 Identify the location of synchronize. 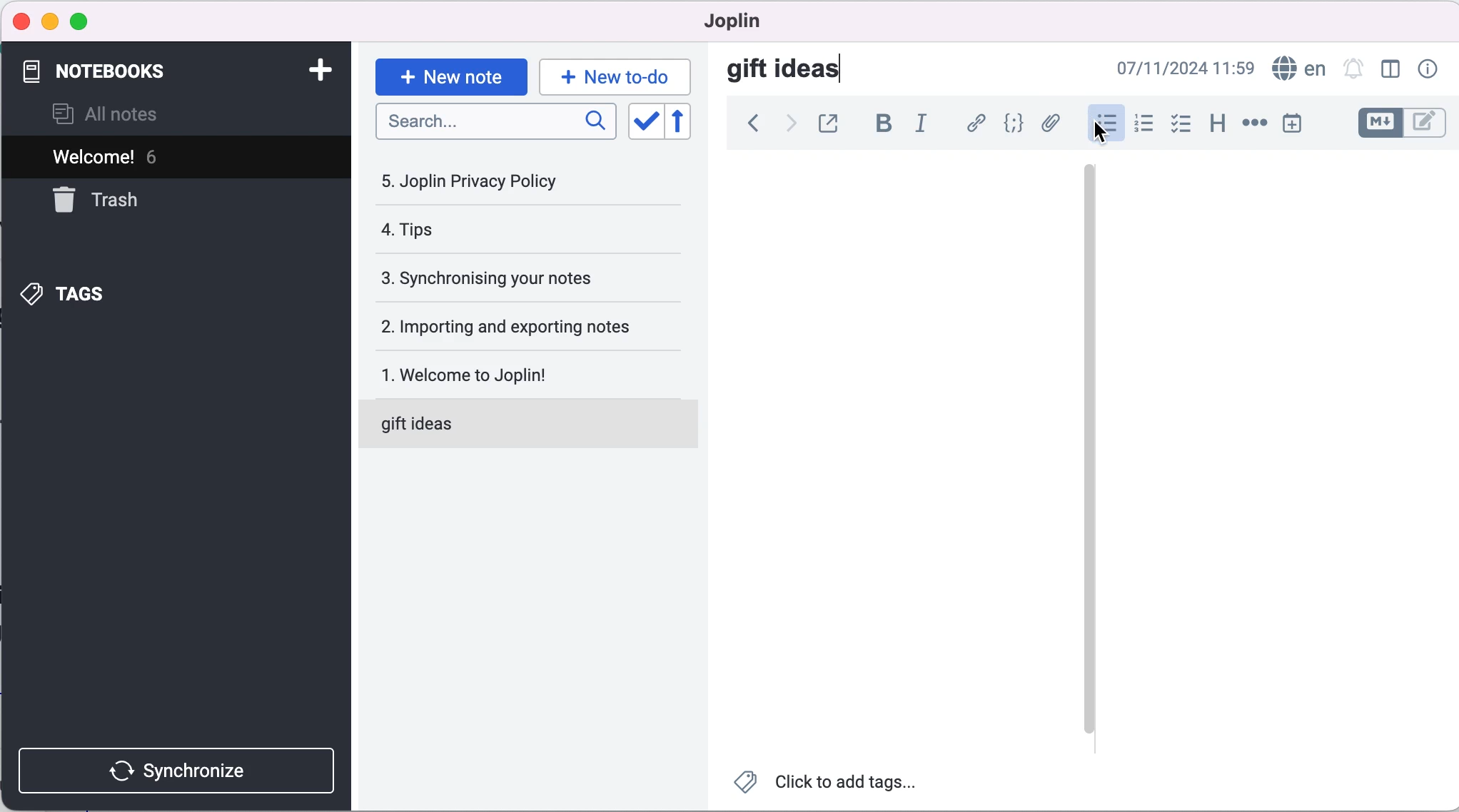
(175, 768).